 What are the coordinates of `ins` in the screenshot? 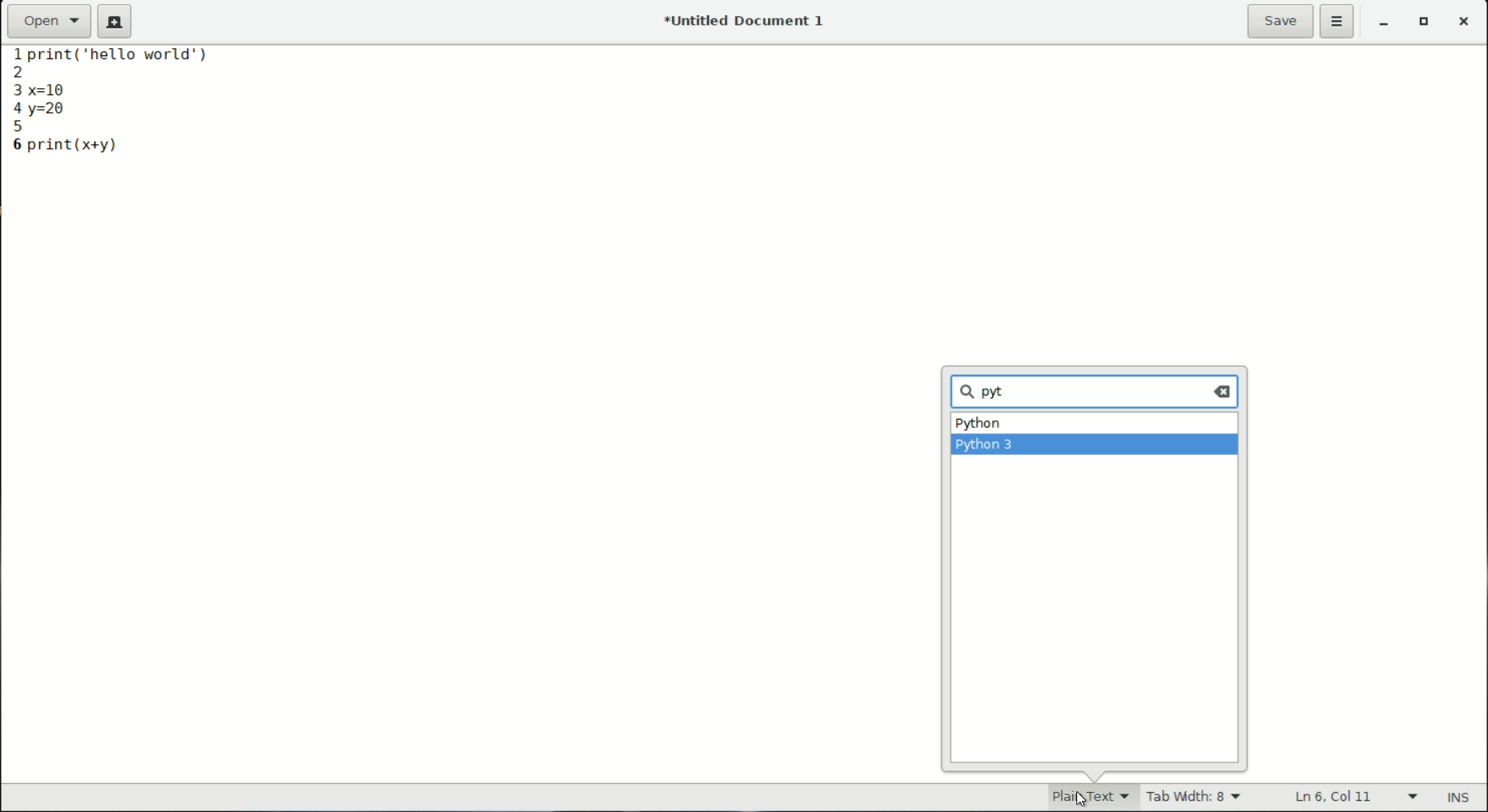 It's located at (1461, 798).